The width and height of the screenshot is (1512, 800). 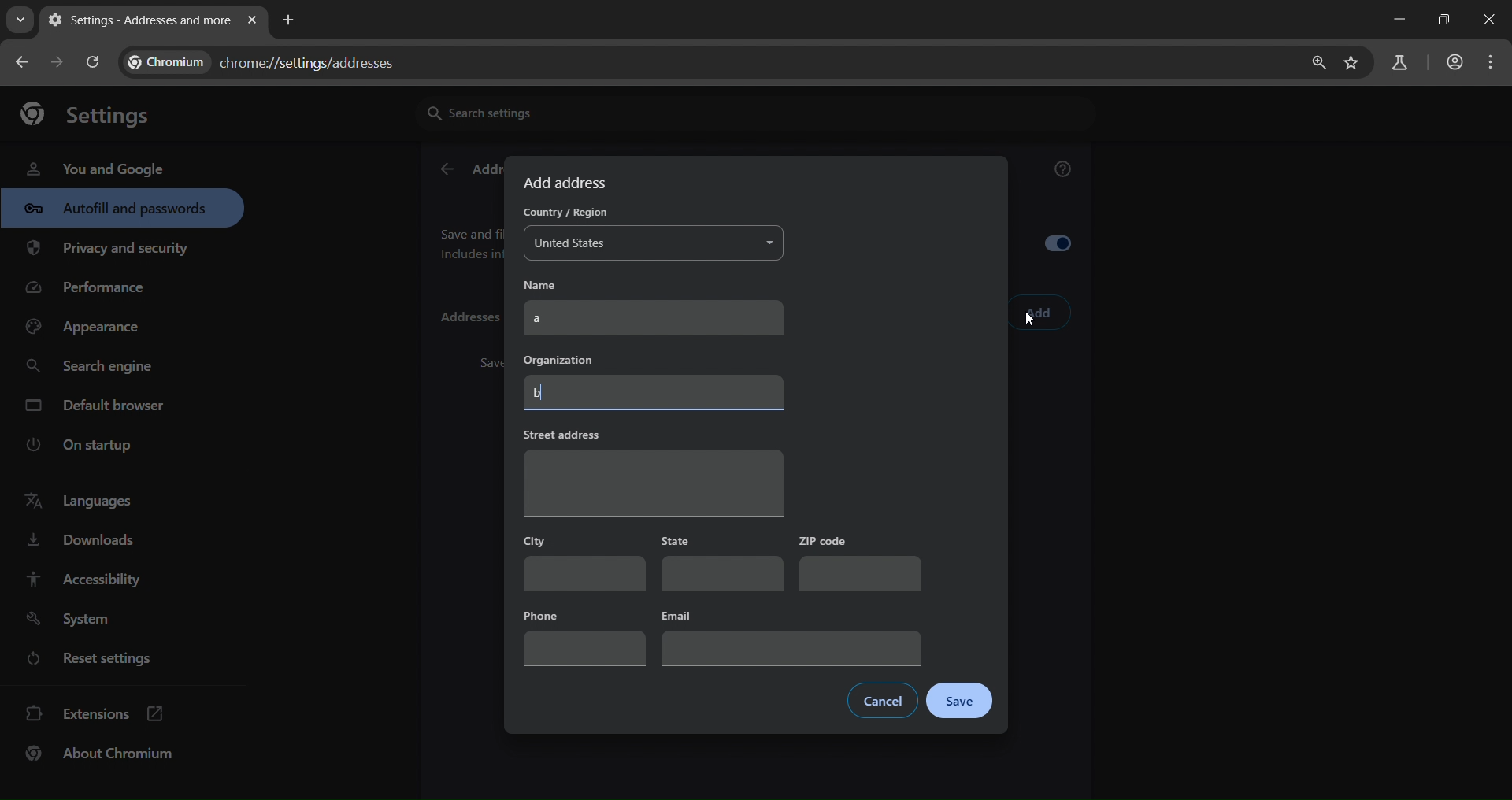 What do you see at coordinates (289, 18) in the screenshot?
I see `new tab` at bounding box center [289, 18].